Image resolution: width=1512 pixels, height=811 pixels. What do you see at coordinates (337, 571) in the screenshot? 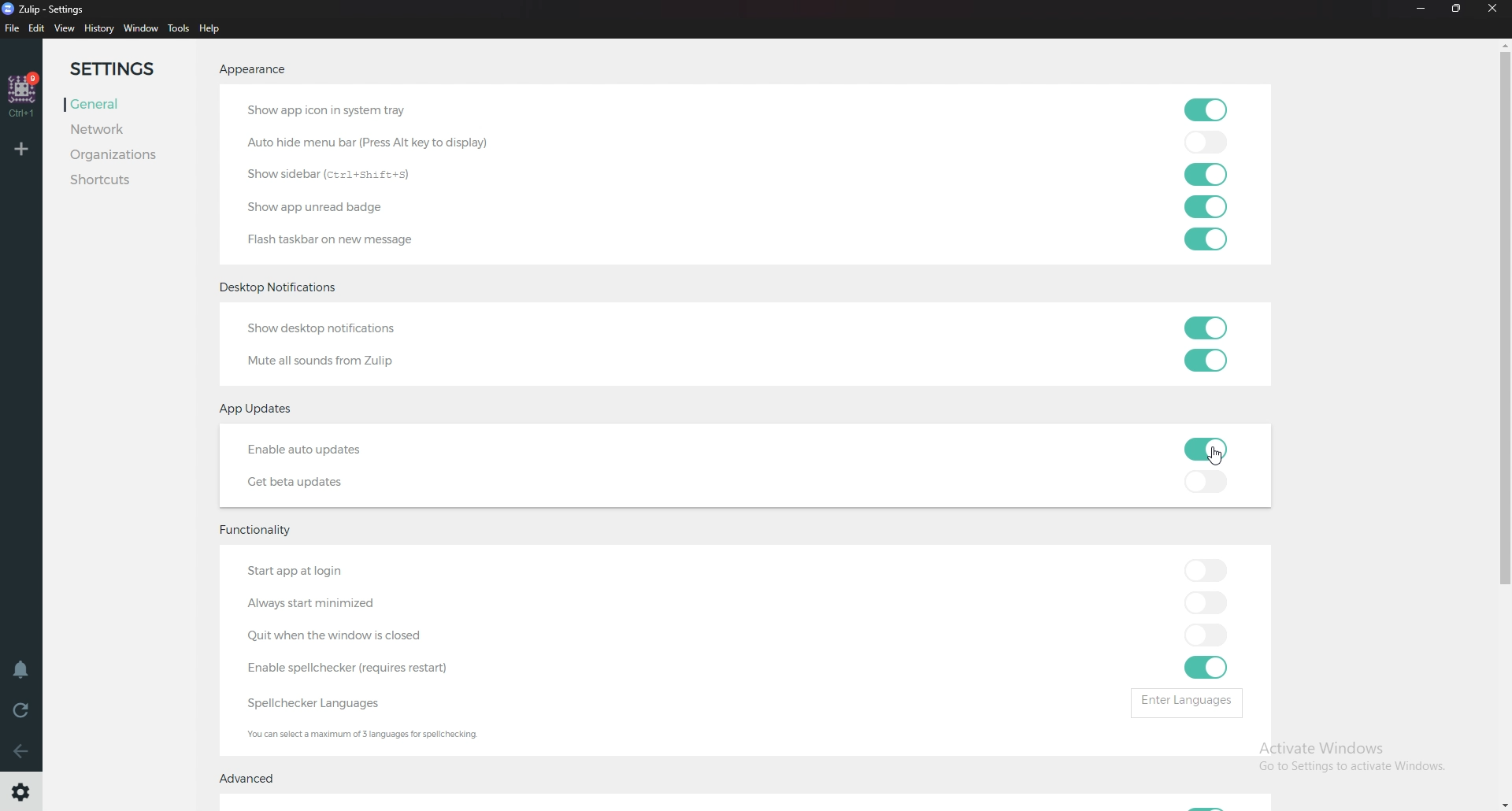
I see `Start app at login` at bounding box center [337, 571].